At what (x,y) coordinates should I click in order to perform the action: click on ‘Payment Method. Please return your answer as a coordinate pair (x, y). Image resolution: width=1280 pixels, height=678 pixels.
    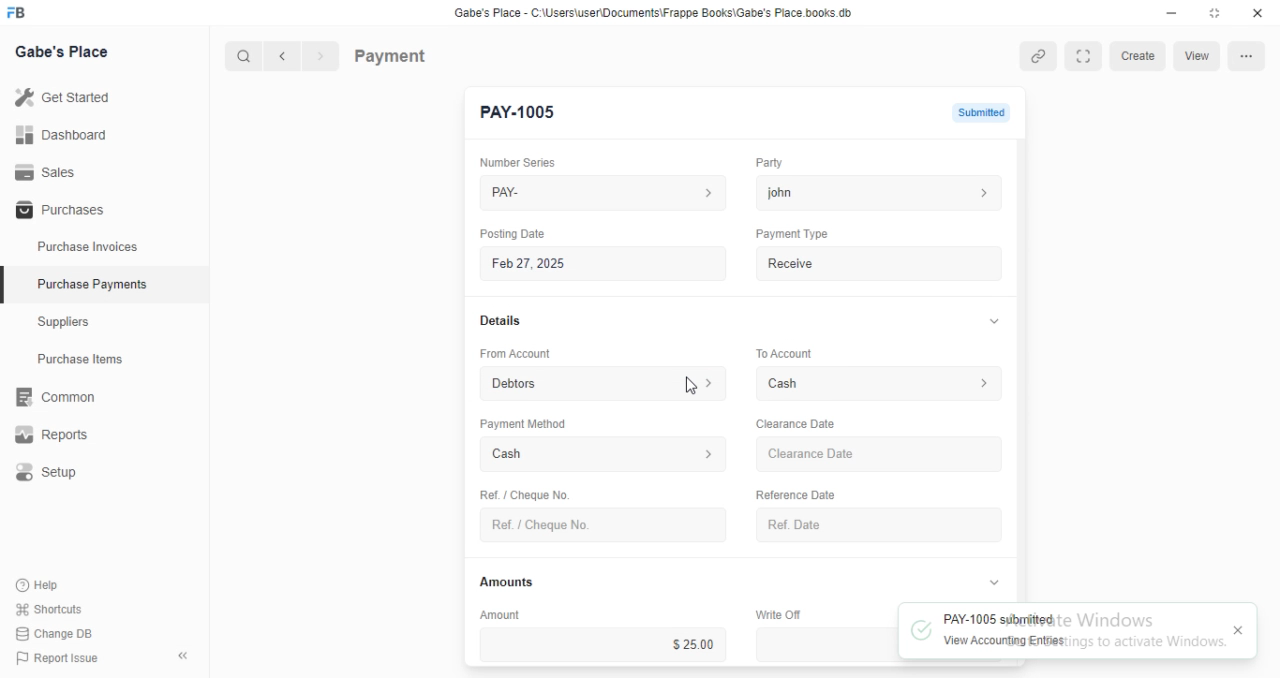
    Looking at the image, I should click on (522, 423).